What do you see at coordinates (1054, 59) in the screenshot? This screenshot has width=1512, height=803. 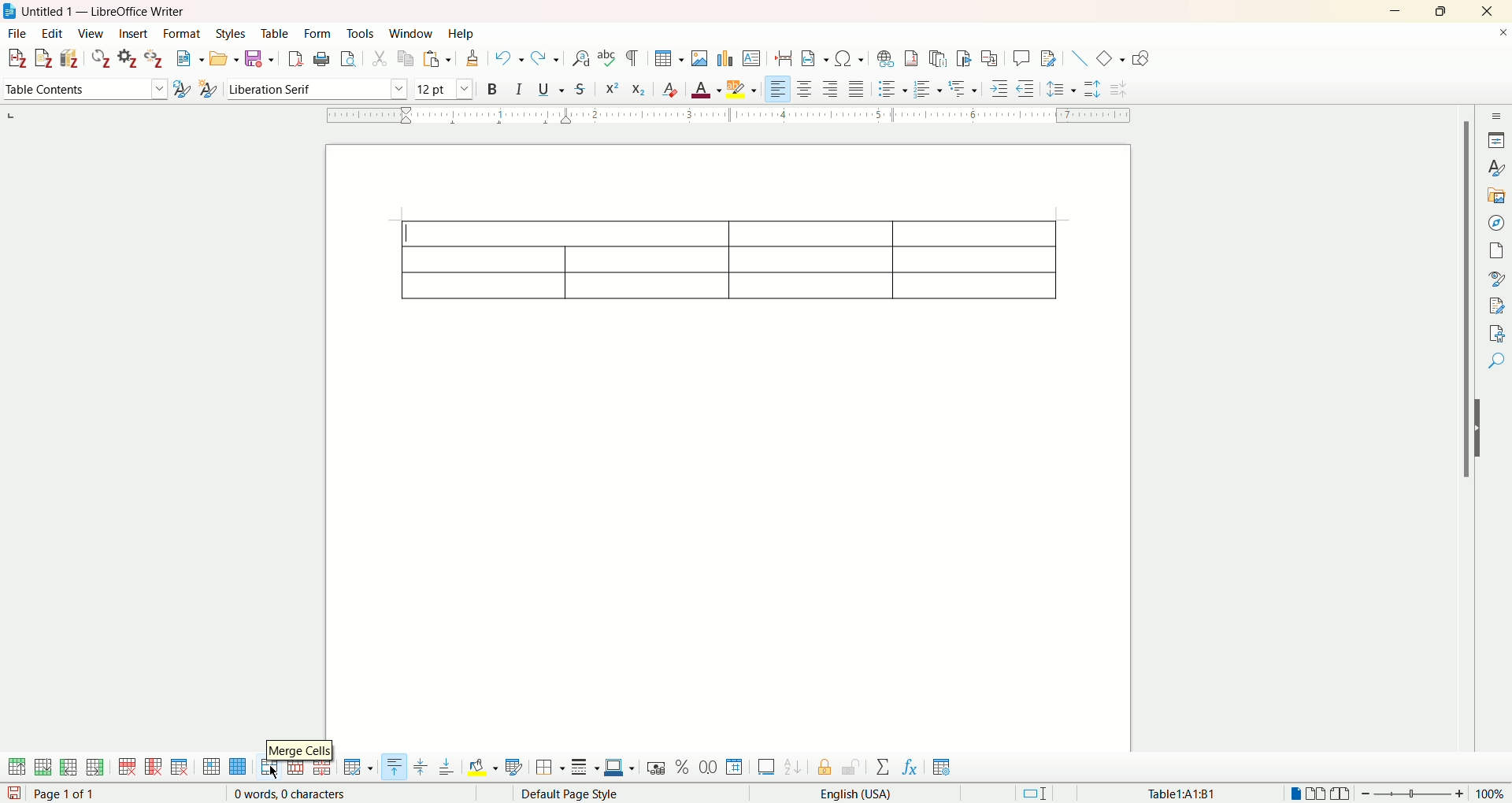 I see `show track changes` at bounding box center [1054, 59].